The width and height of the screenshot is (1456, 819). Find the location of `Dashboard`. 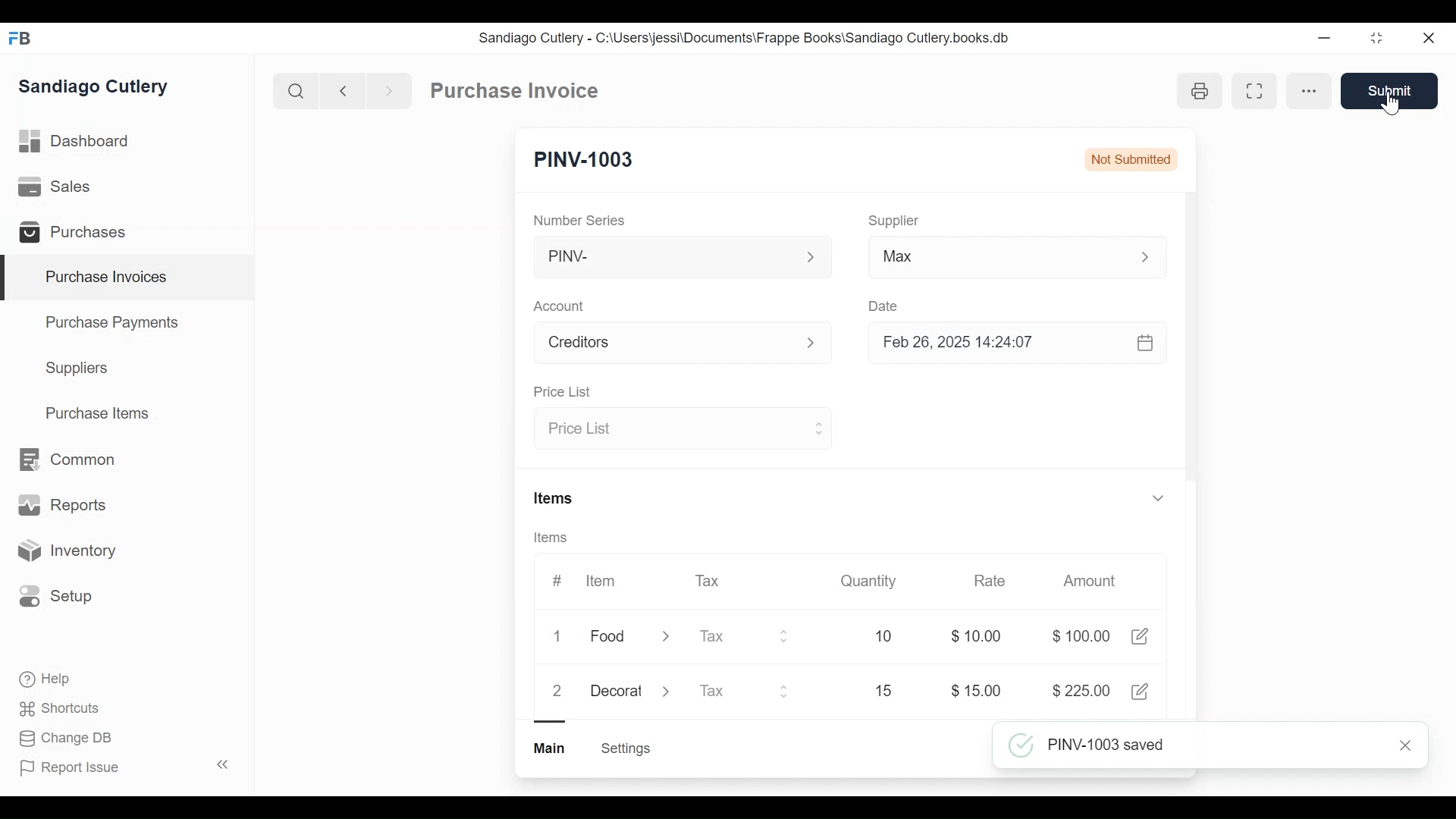

Dashboard is located at coordinates (76, 142).